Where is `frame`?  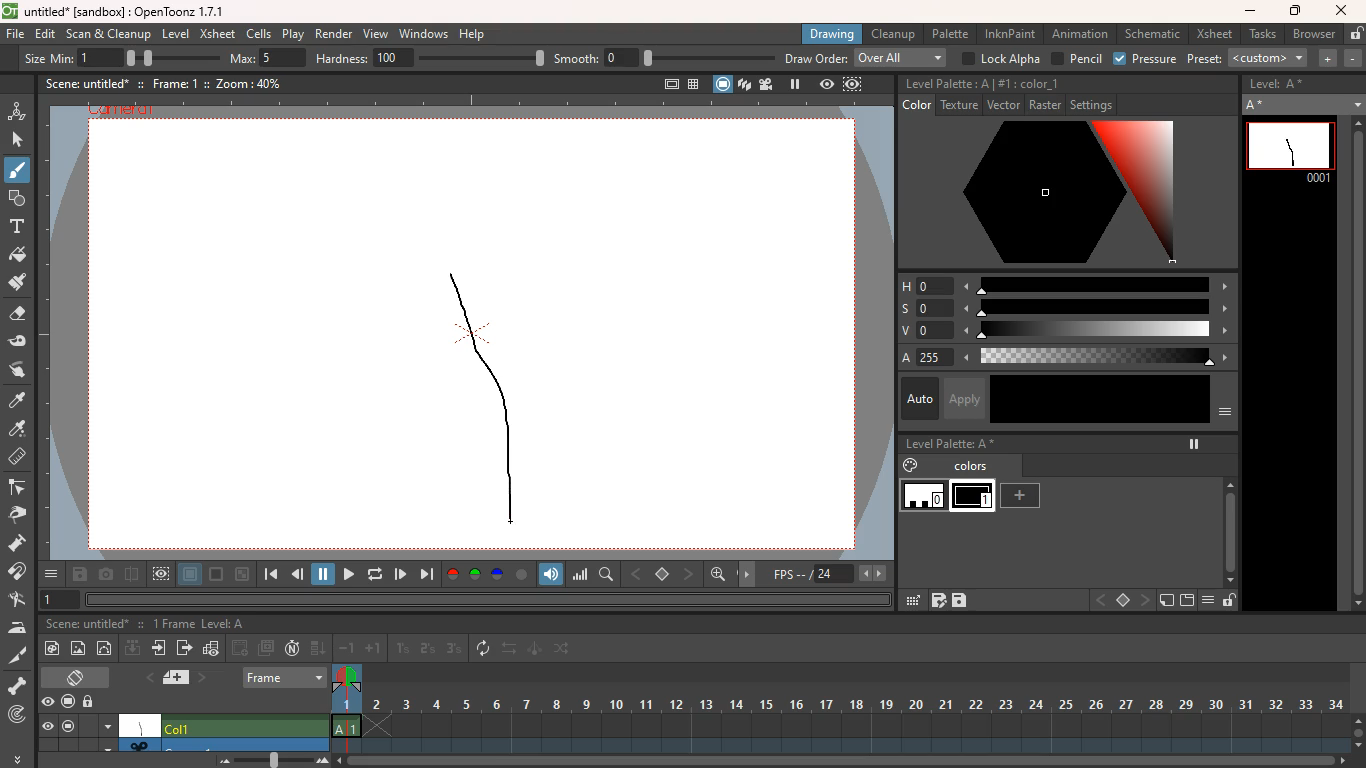 frame is located at coordinates (346, 709).